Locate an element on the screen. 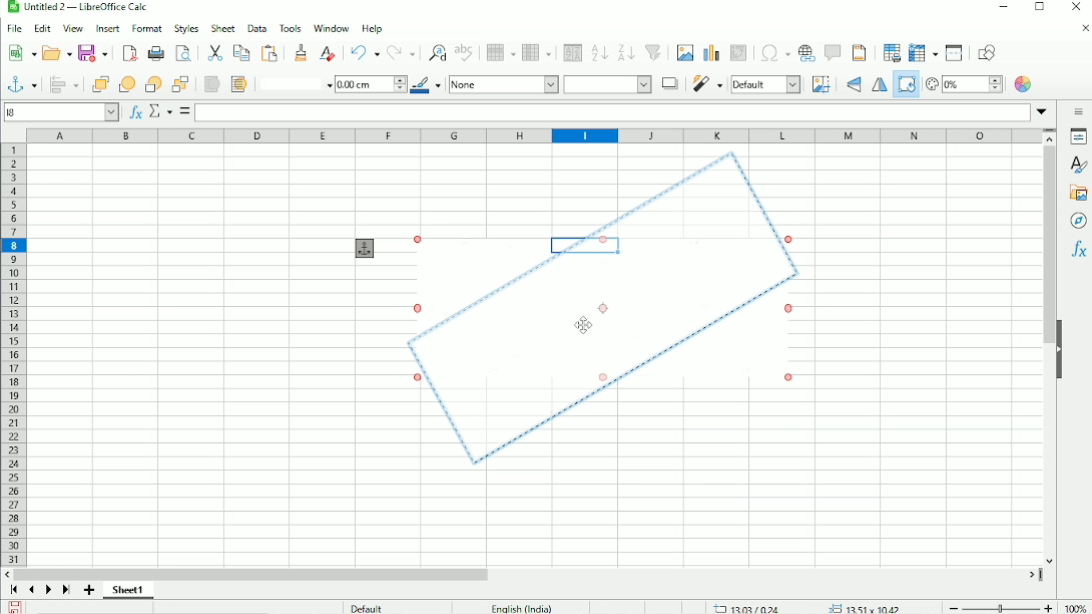  None is located at coordinates (503, 84).